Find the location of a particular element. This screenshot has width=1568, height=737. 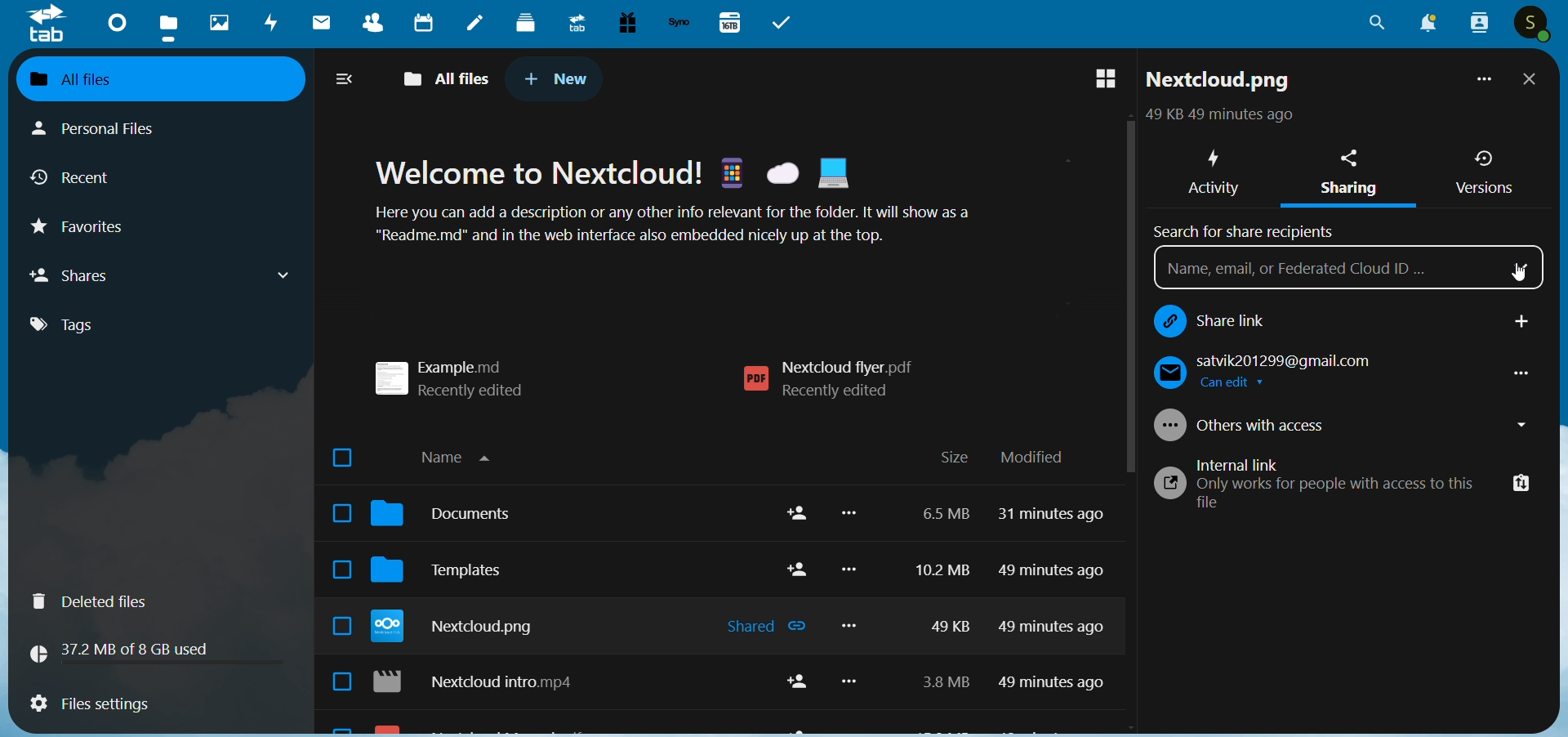

shares is located at coordinates (163, 275).